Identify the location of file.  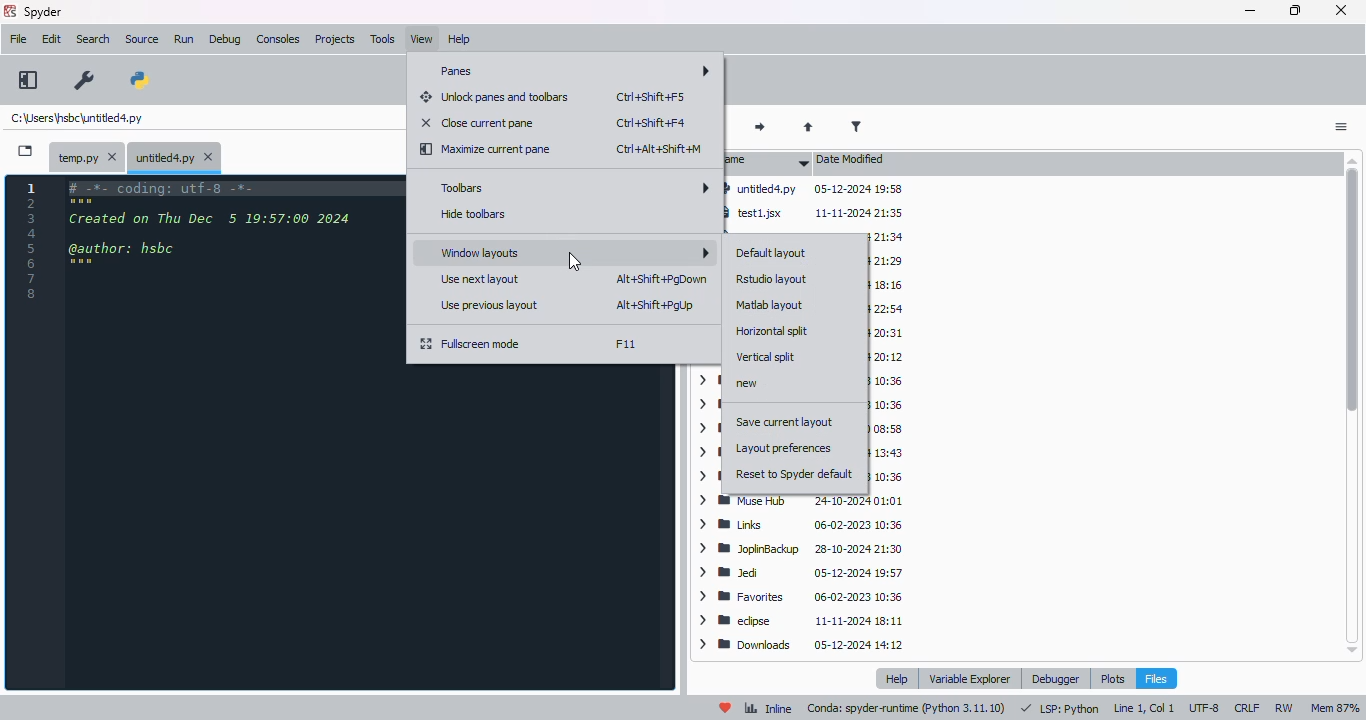
(19, 38).